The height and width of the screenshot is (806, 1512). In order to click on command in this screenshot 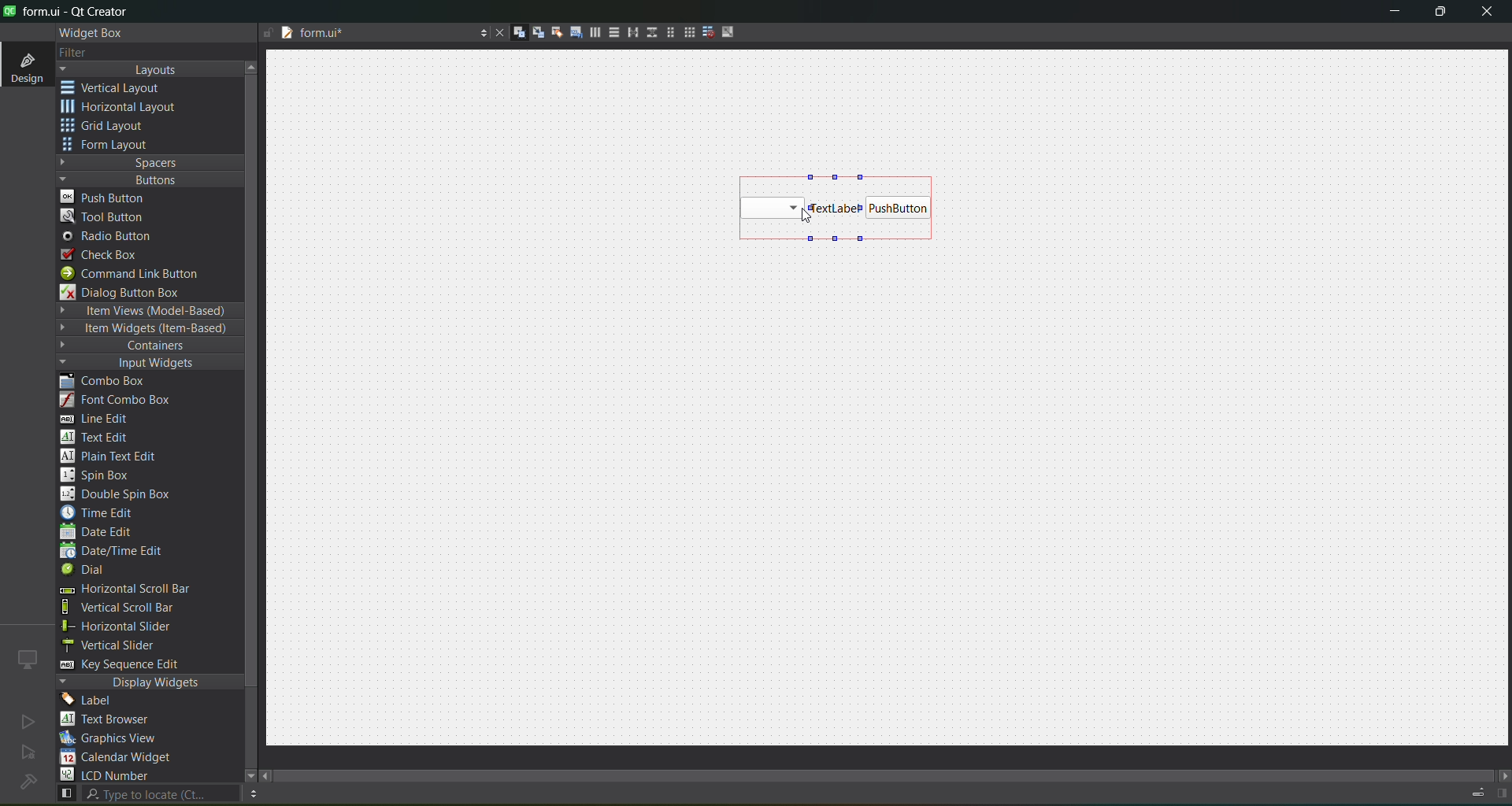, I will do `click(140, 275)`.